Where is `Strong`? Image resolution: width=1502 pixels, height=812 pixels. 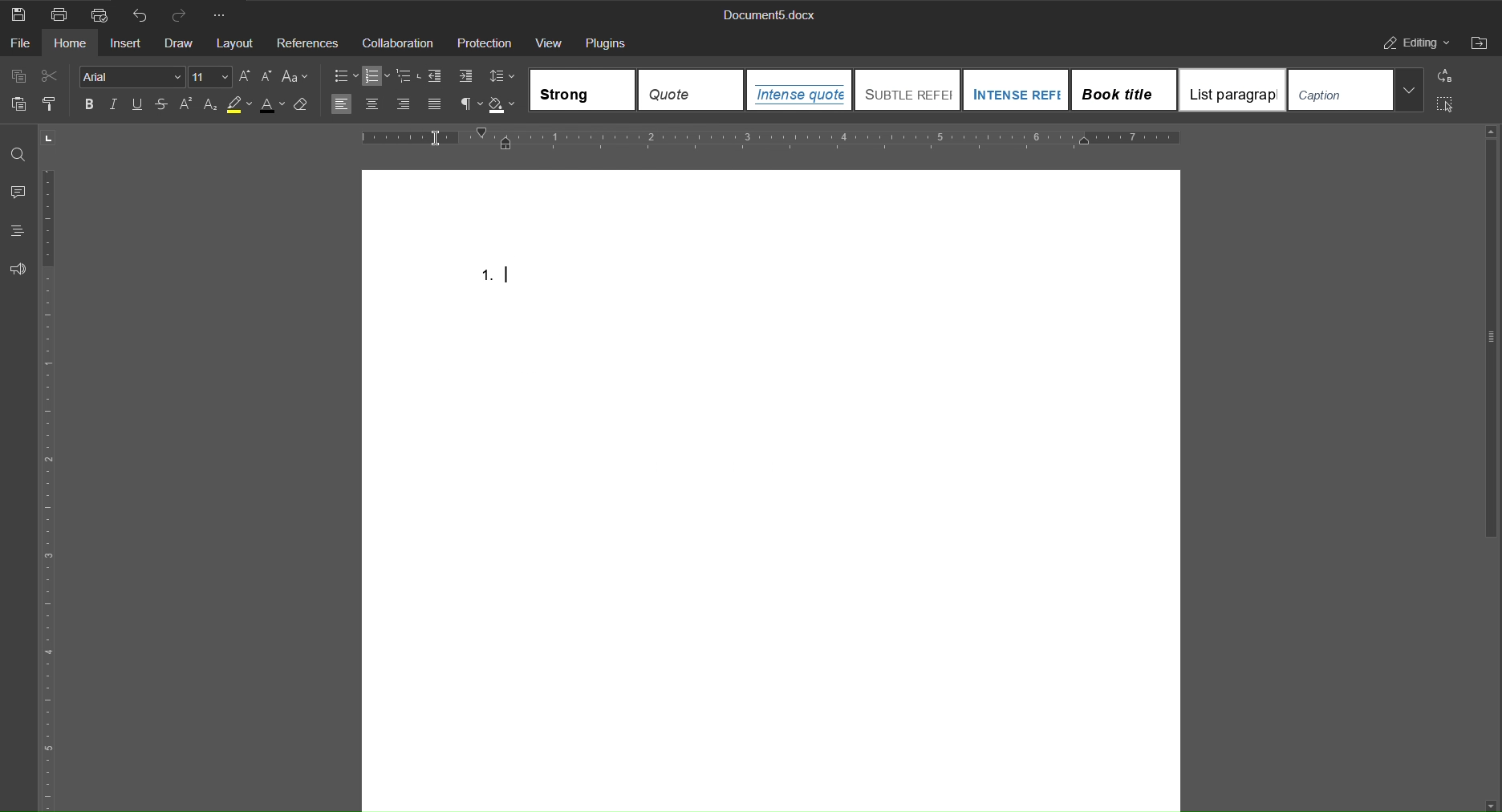 Strong is located at coordinates (582, 90).